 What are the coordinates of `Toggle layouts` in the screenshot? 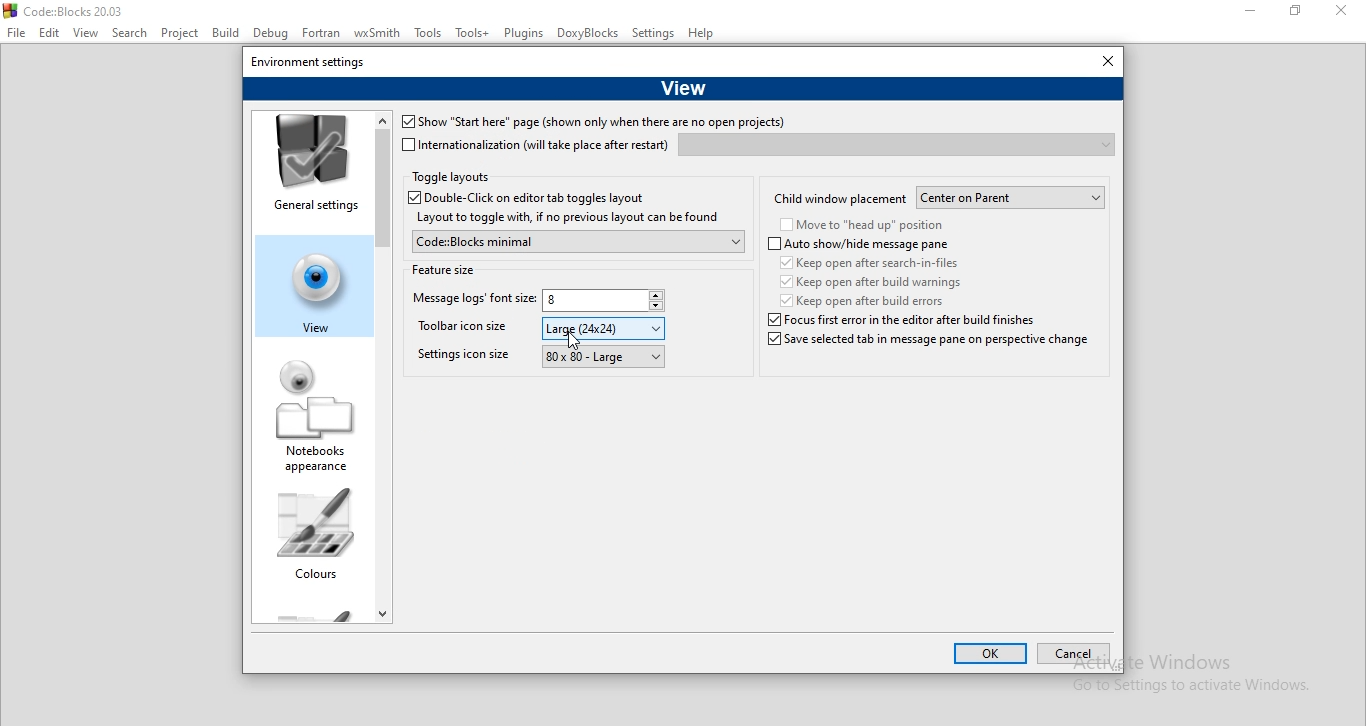 It's located at (451, 178).